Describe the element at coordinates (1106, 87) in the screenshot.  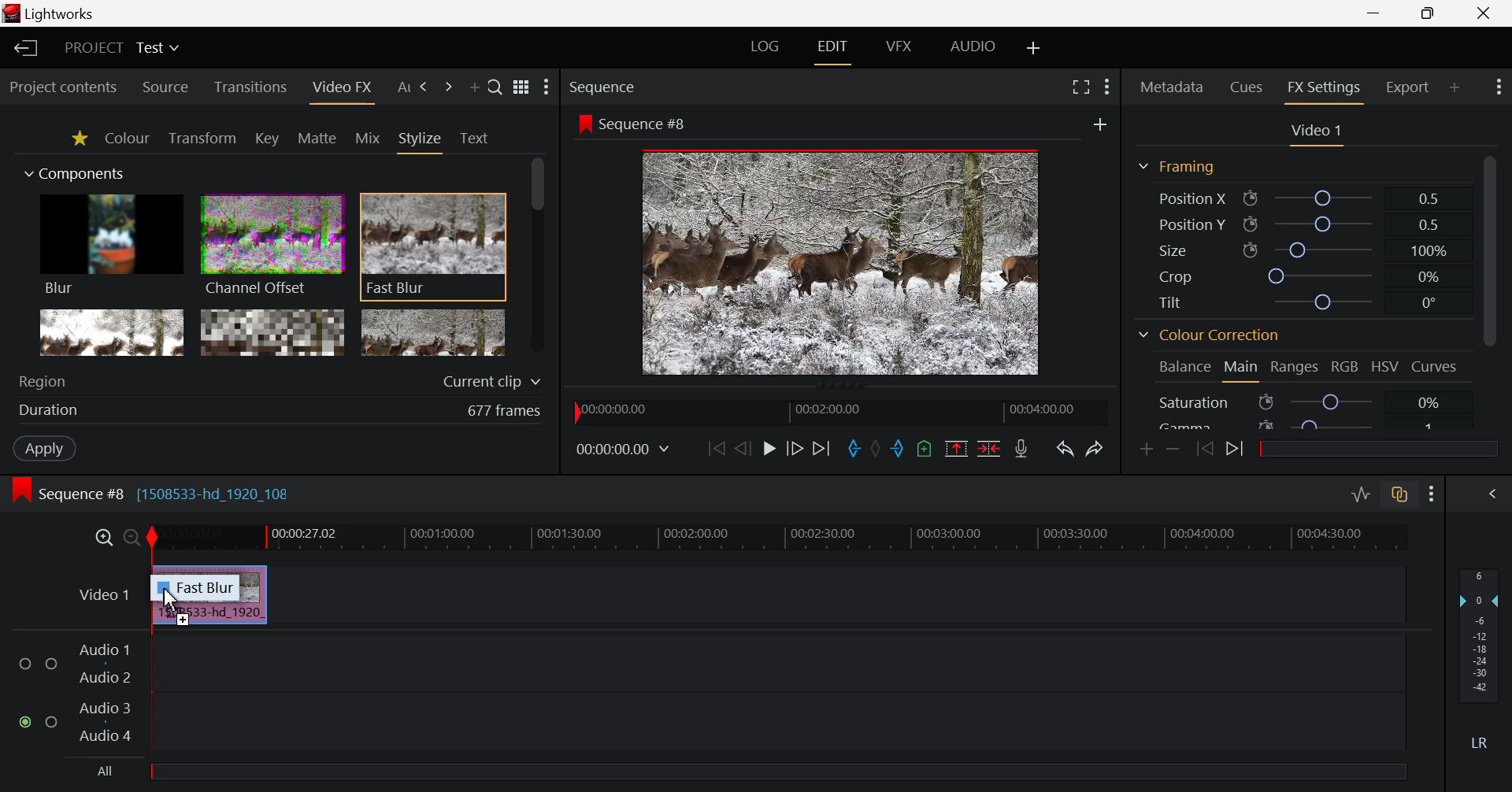
I see `Show Settings` at that location.